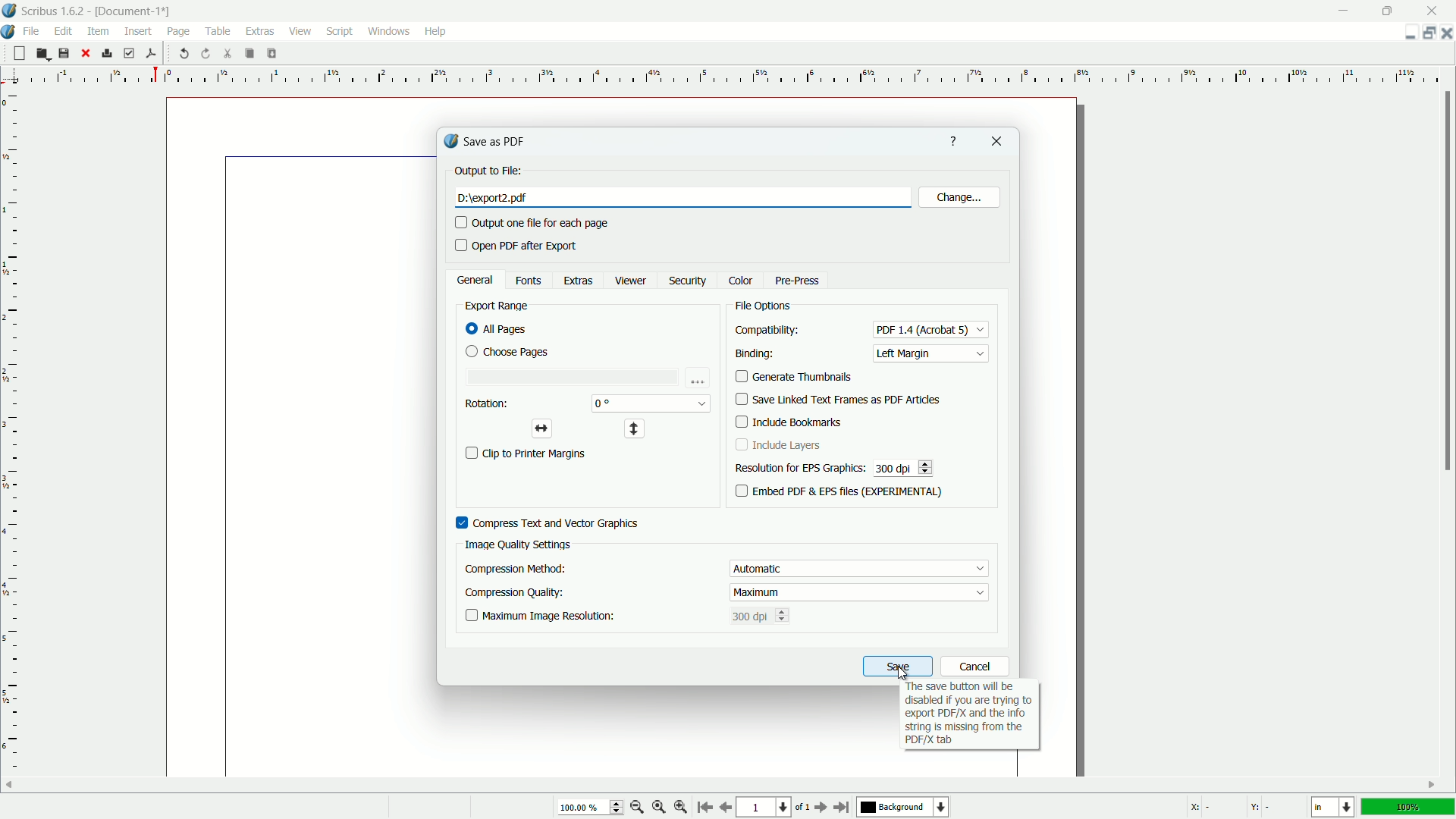 The width and height of the screenshot is (1456, 819). I want to click on extras, so click(579, 283).